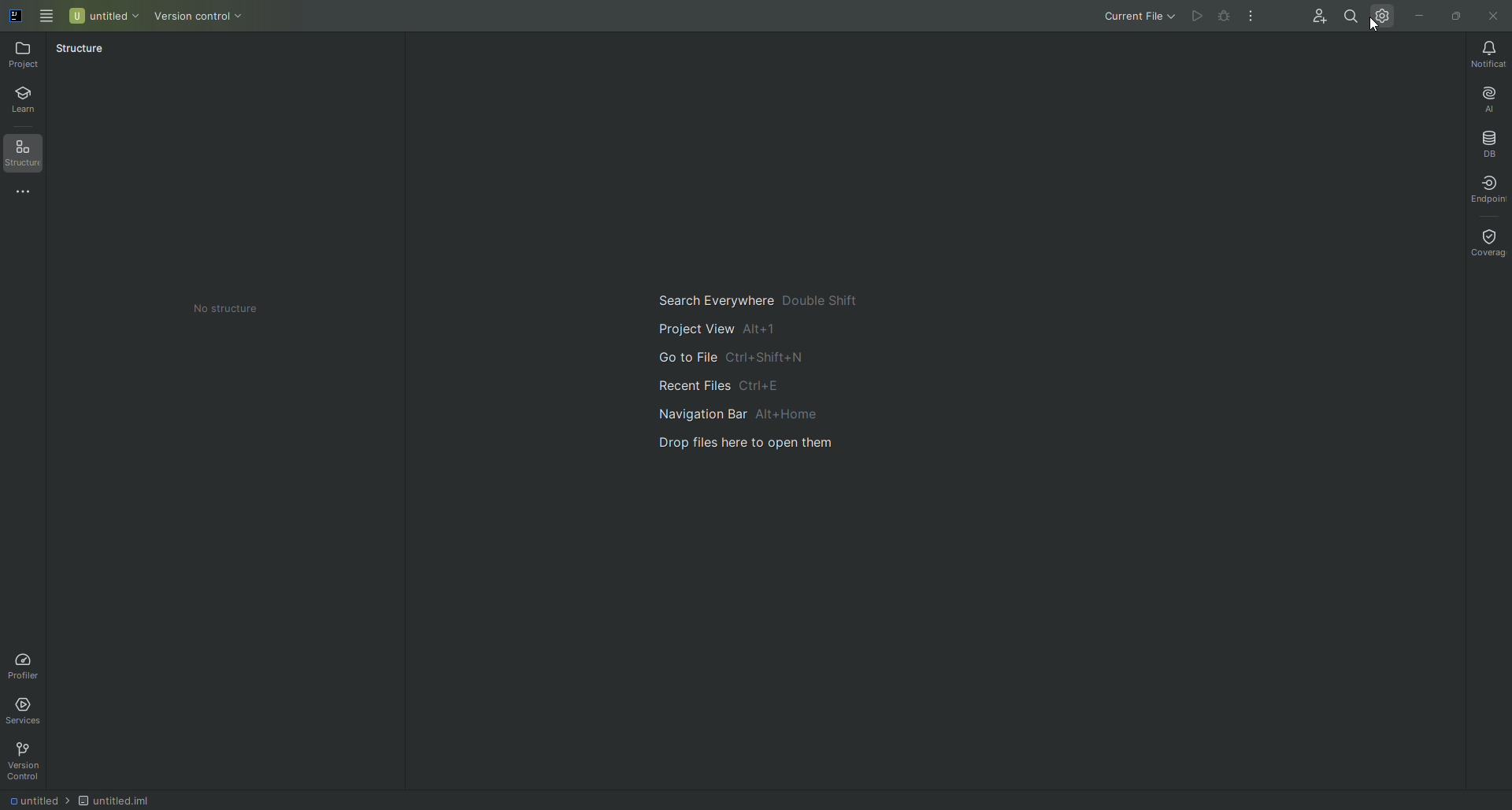 This screenshot has height=810, width=1512. I want to click on Cannot run file, so click(1225, 15).